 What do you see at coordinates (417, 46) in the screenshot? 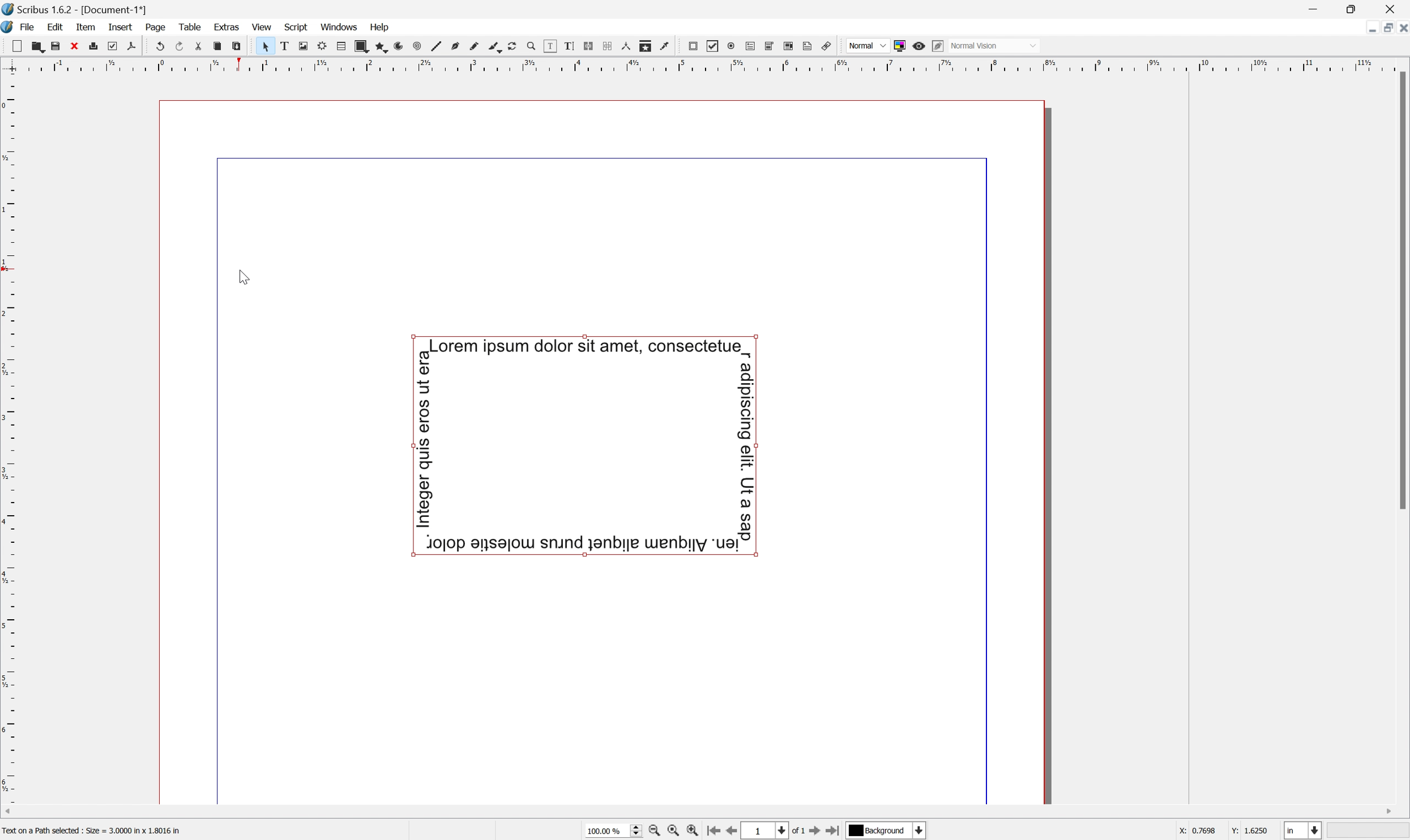
I see `Spiral` at bounding box center [417, 46].